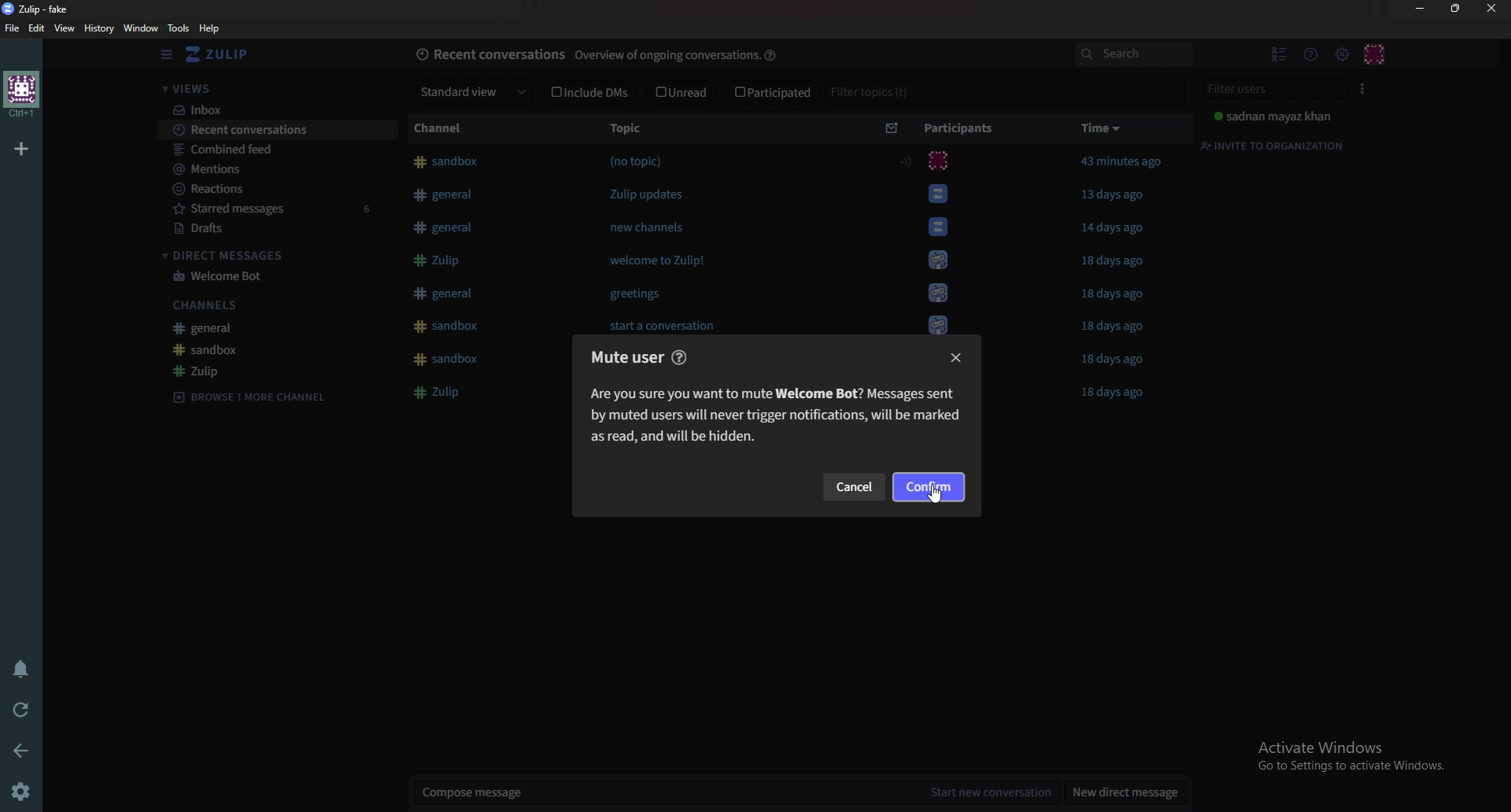 This screenshot has width=1511, height=812. Describe the element at coordinates (774, 416) in the screenshot. I see `Are you sure you want to mute Welcome Bot? Messages sent
by muted users will never trigger notifications, will be marked
as read, and will be hidden.` at that location.